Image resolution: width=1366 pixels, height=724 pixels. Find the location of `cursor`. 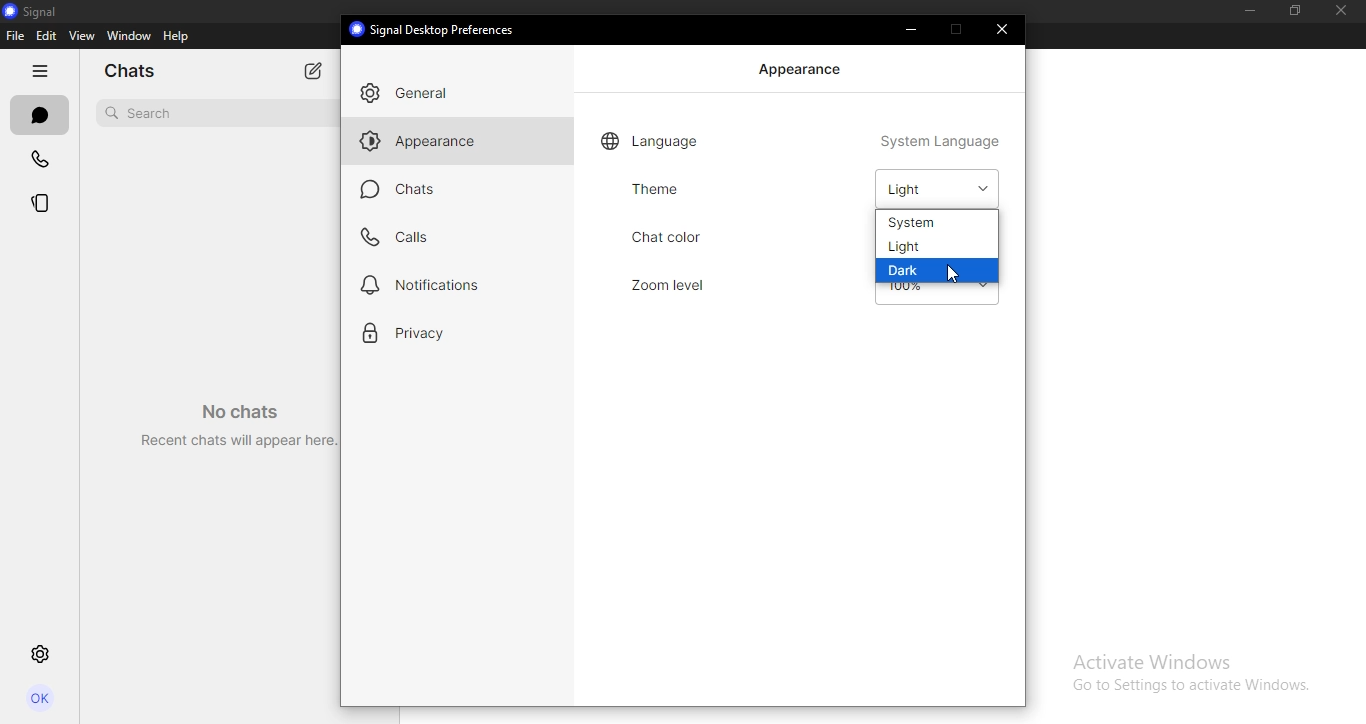

cursor is located at coordinates (959, 275).